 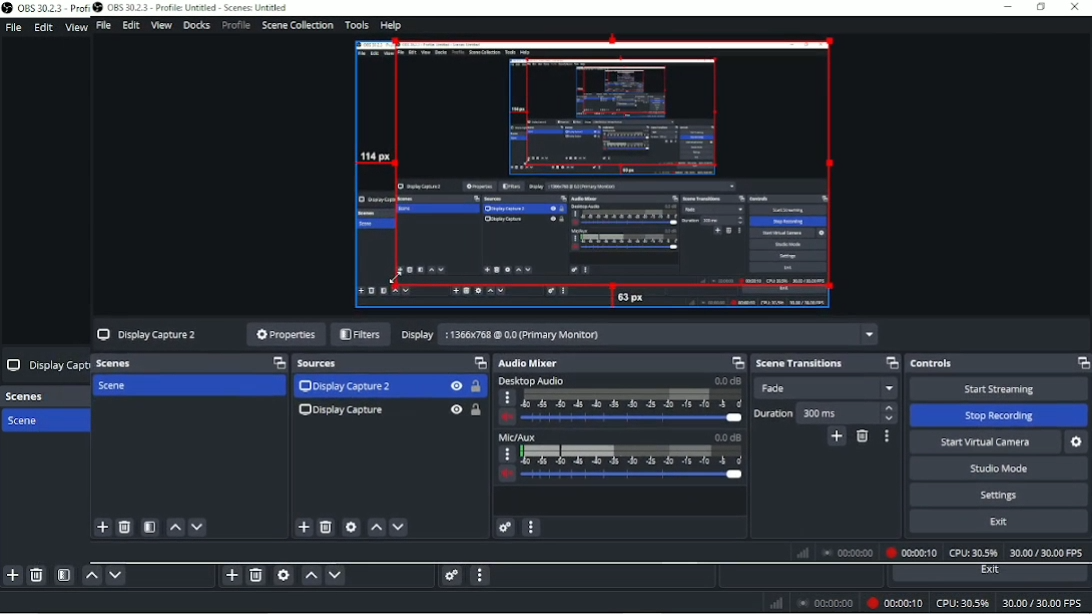 What do you see at coordinates (339, 410) in the screenshot?
I see `Display Capture` at bounding box center [339, 410].